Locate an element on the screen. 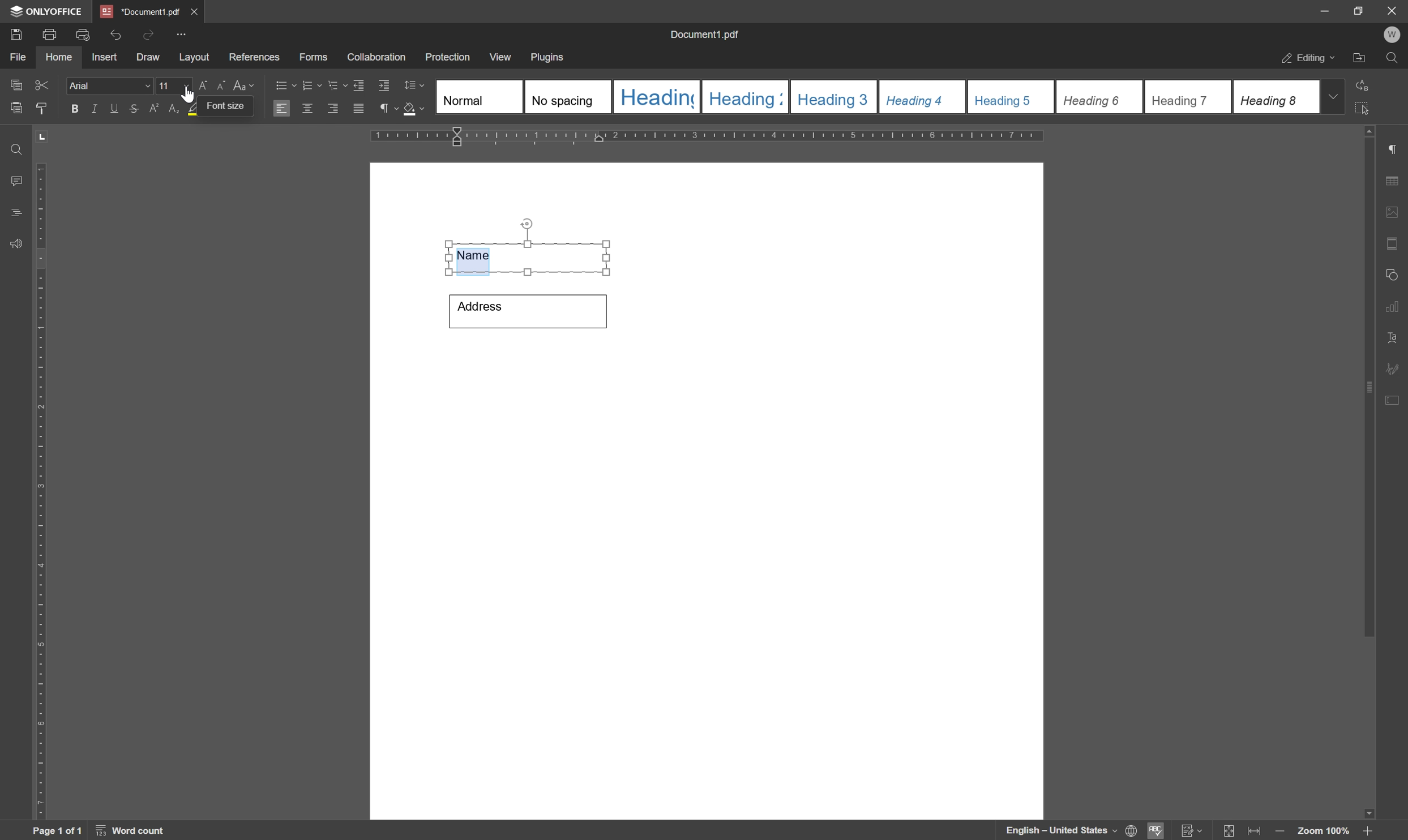 This screenshot has width=1408, height=840. close is located at coordinates (1392, 10).